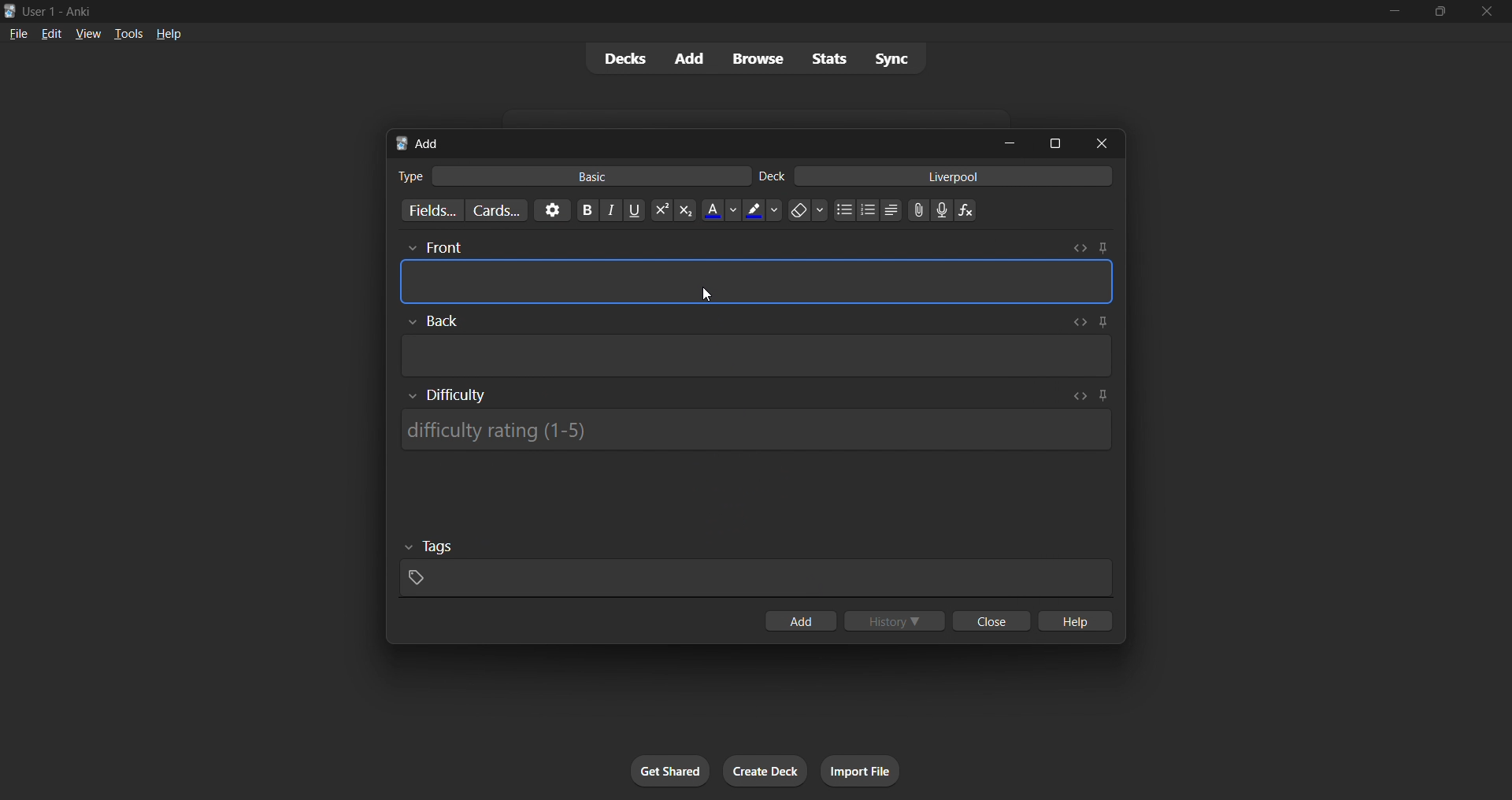  Describe the element at coordinates (1010, 143) in the screenshot. I see `minimize` at that location.